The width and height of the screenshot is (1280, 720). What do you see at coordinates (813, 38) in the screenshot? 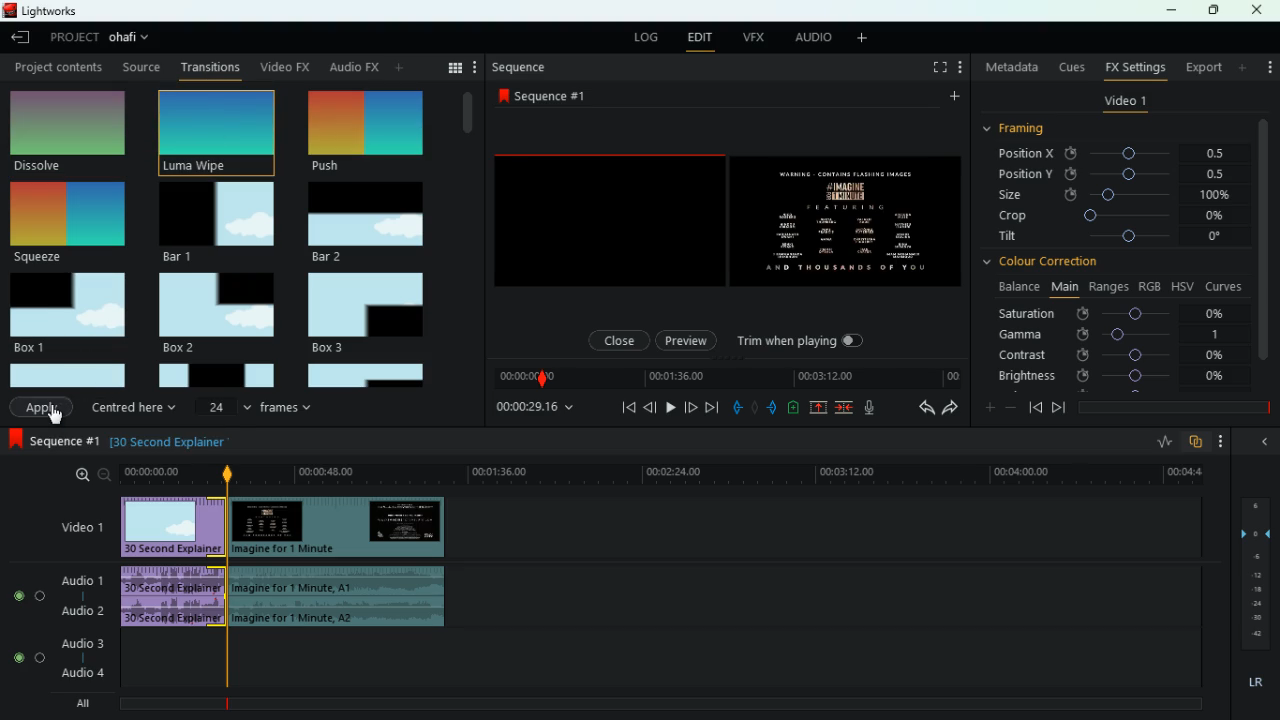
I see `audio` at bounding box center [813, 38].